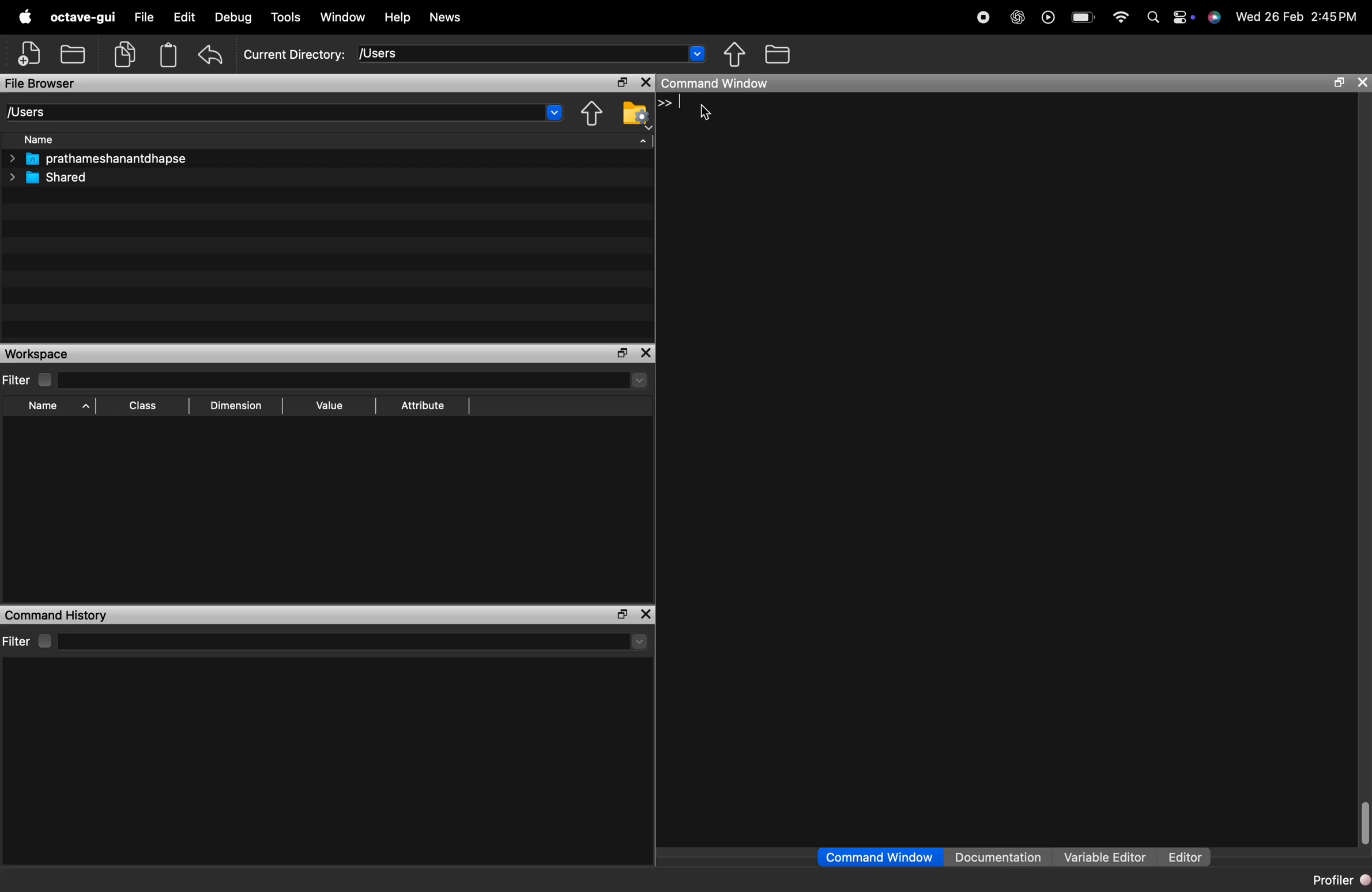 Image resolution: width=1372 pixels, height=892 pixels. Describe the element at coordinates (721, 84) in the screenshot. I see `Command Window` at that location.